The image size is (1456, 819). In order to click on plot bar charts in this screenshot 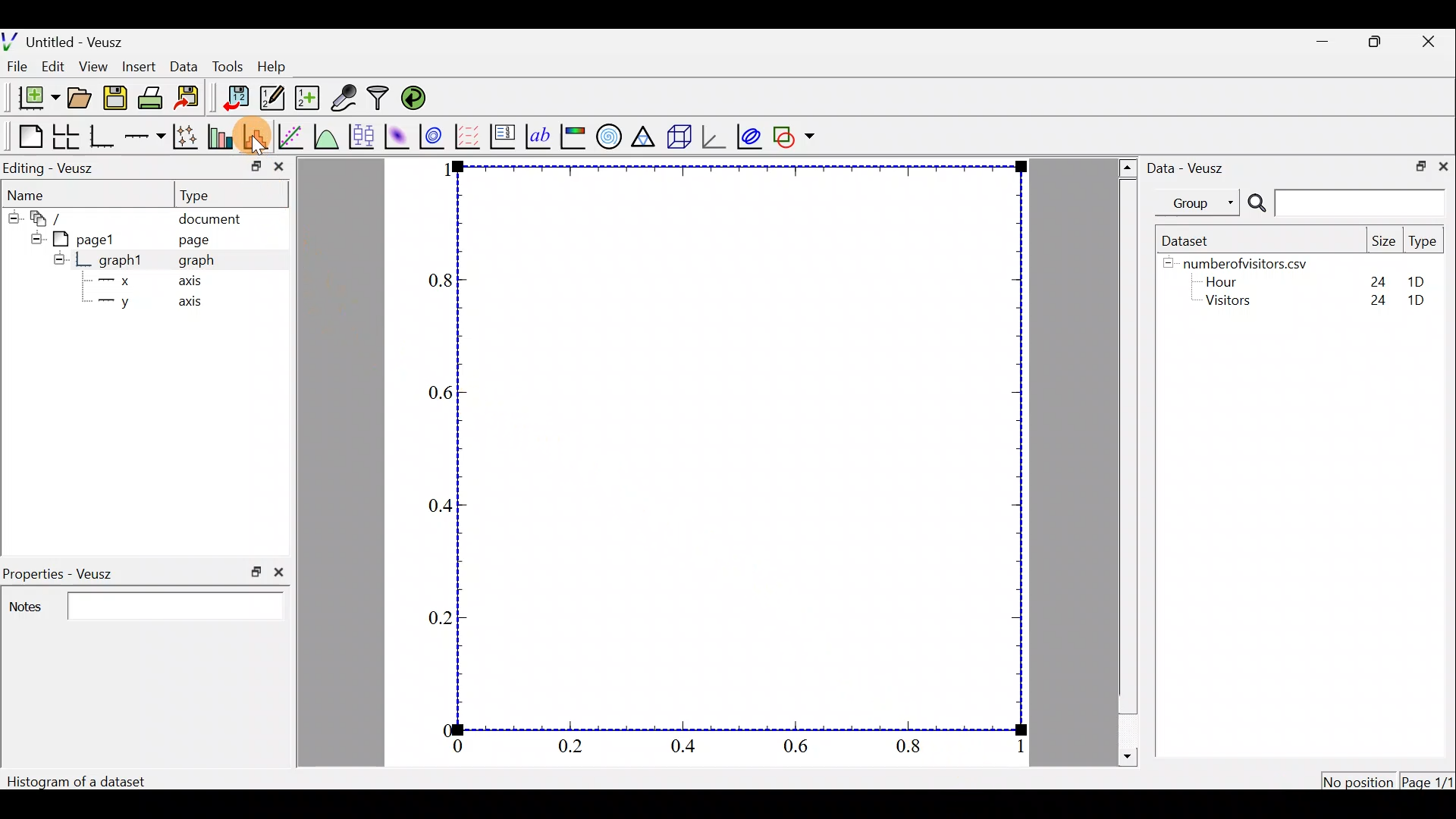, I will do `click(220, 135)`.